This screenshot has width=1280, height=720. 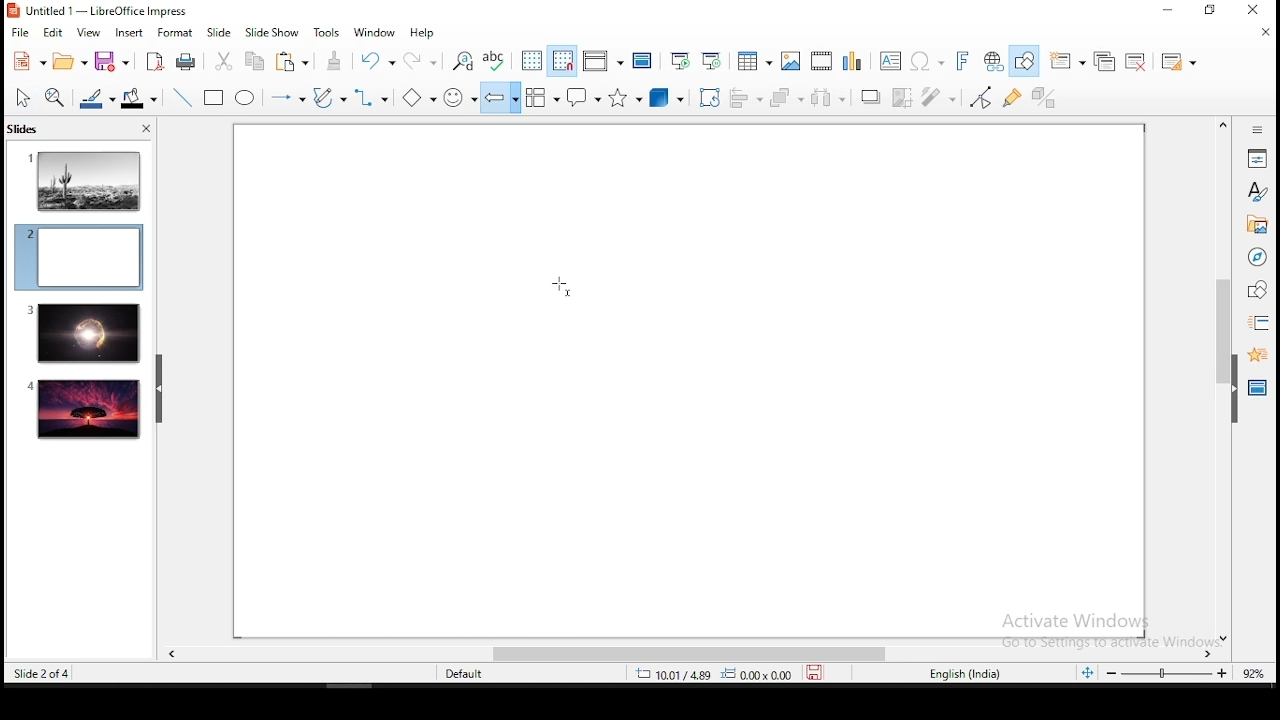 What do you see at coordinates (1017, 97) in the screenshot?
I see `show gluepoint functions` at bounding box center [1017, 97].